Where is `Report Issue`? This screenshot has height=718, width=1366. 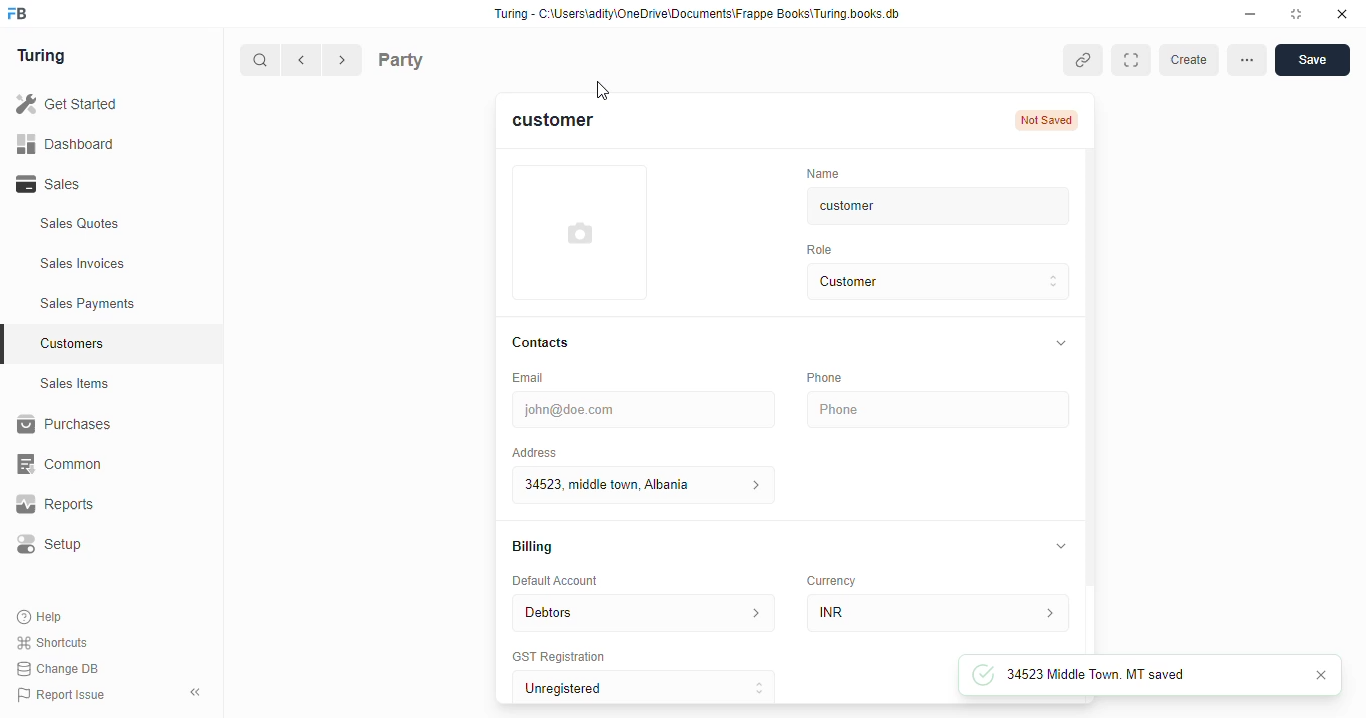 Report Issue is located at coordinates (65, 693).